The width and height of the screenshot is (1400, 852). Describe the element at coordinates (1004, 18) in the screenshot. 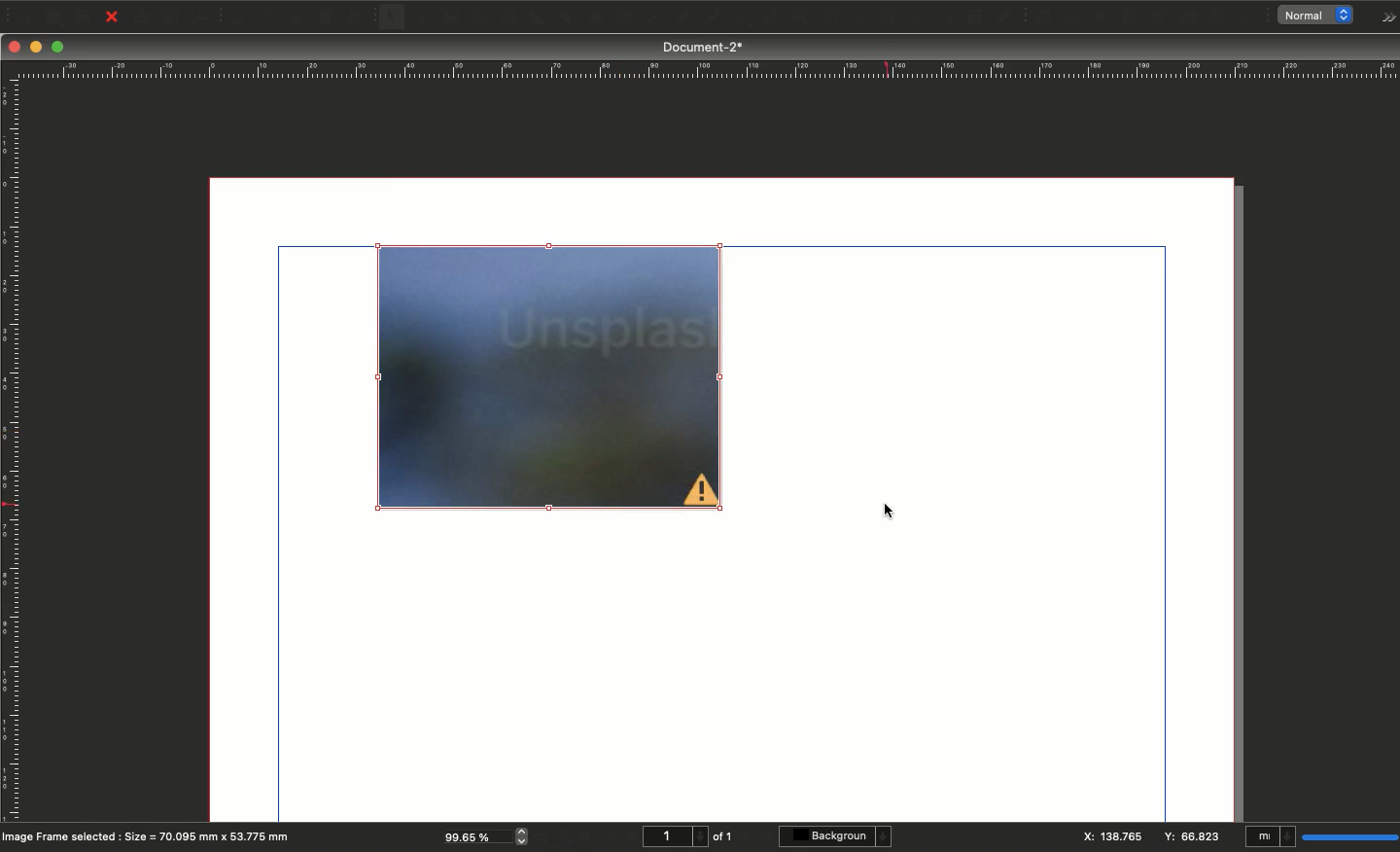

I see `Eye dropper` at that location.